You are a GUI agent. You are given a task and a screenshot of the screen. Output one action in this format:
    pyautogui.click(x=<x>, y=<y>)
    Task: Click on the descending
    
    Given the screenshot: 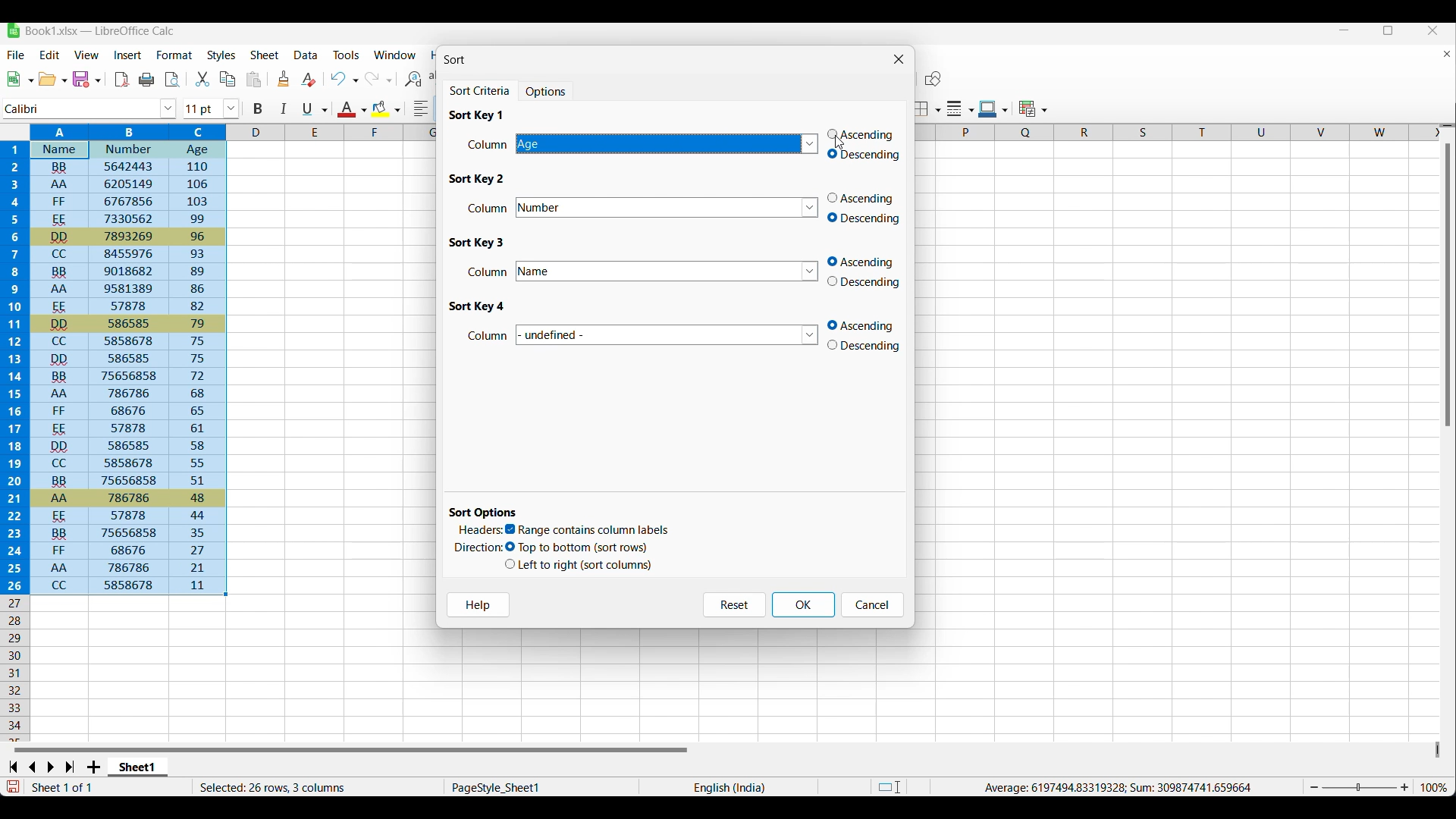 What is the action you would take?
    pyautogui.click(x=864, y=283)
    